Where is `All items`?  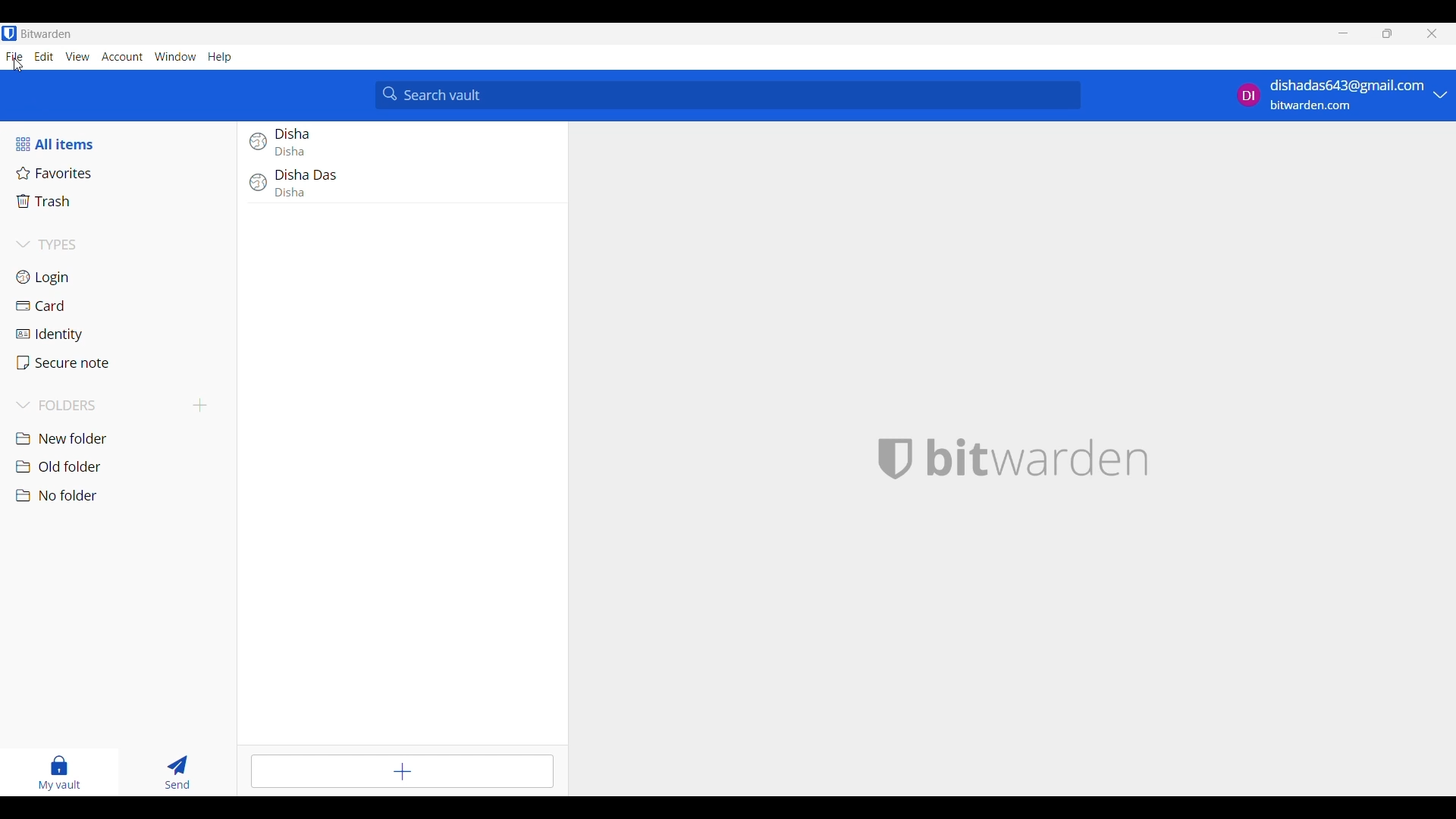
All items is located at coordinates (121, 144).